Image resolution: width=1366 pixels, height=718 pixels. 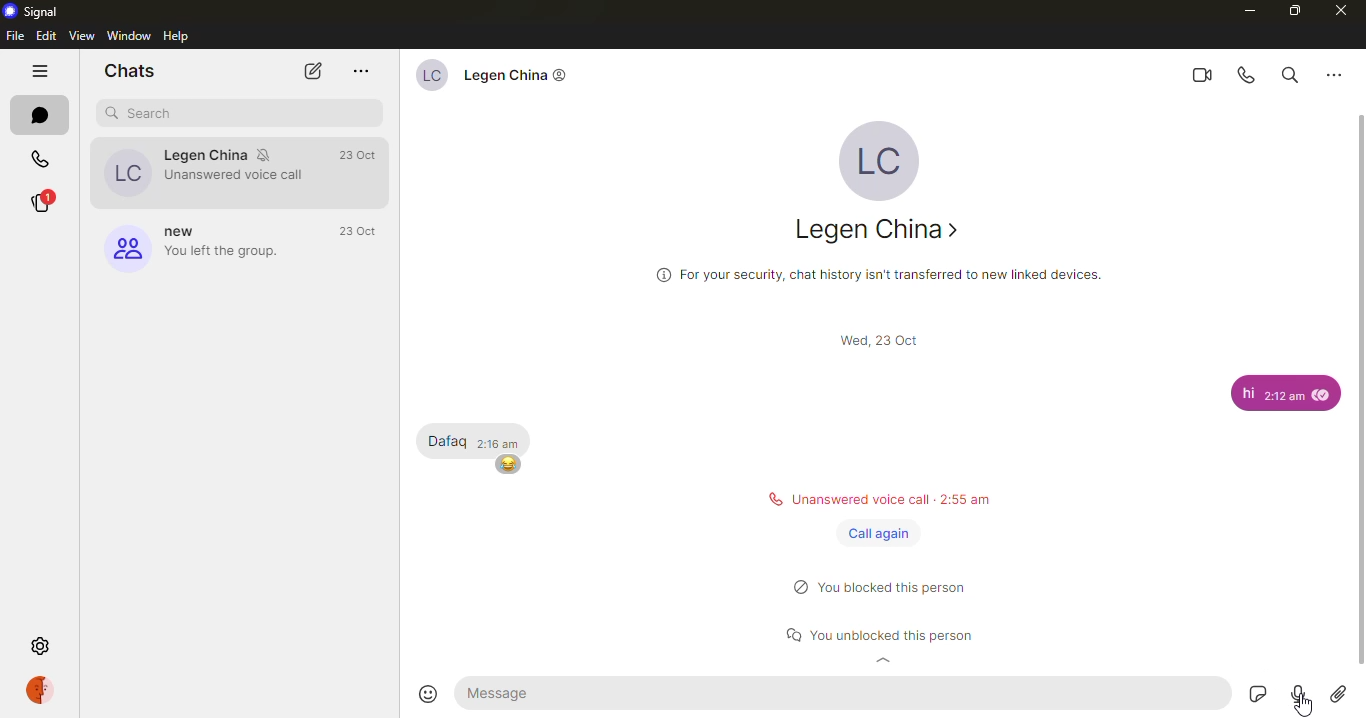 What do you see at coordinates (1362, 391) in the screenshot?
I see `scroll bar` at bounding box center [1362, 391].